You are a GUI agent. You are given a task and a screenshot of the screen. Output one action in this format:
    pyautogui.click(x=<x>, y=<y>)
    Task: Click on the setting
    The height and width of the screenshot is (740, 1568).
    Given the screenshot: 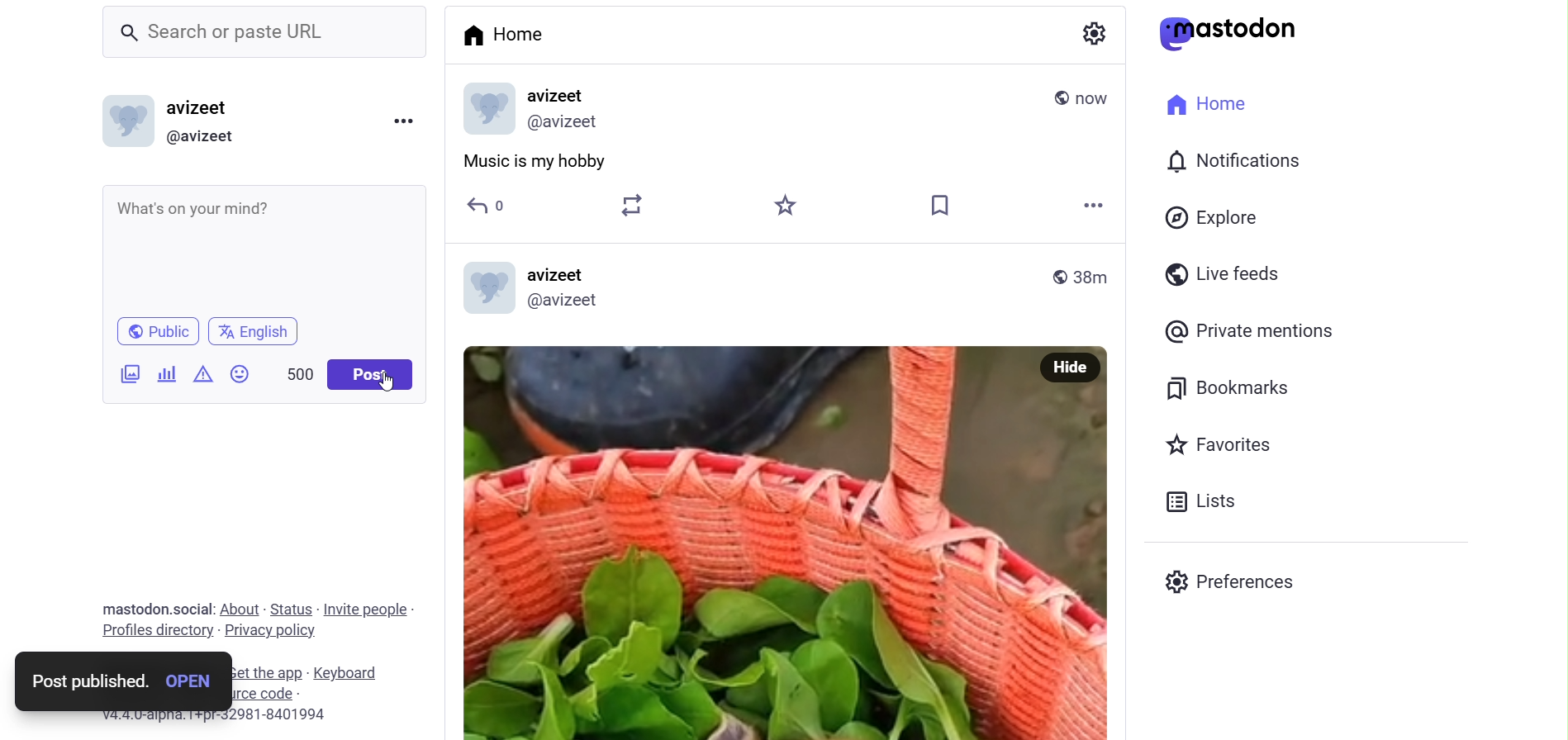 What is the action you would take?
    pyautogui.click(x=1104, y=36)
    